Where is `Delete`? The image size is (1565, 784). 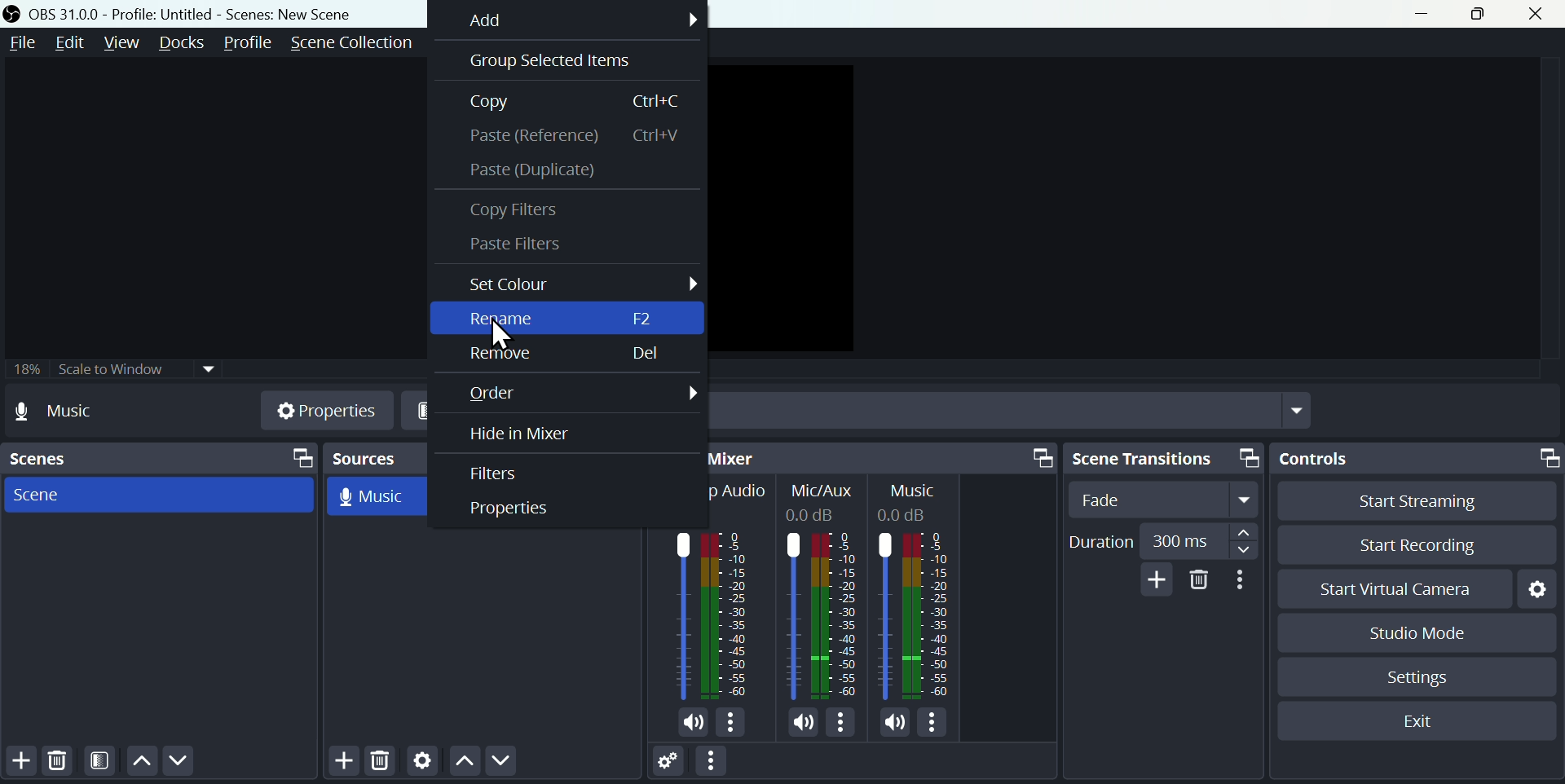 Delete is located at coordinates (1199, 580).